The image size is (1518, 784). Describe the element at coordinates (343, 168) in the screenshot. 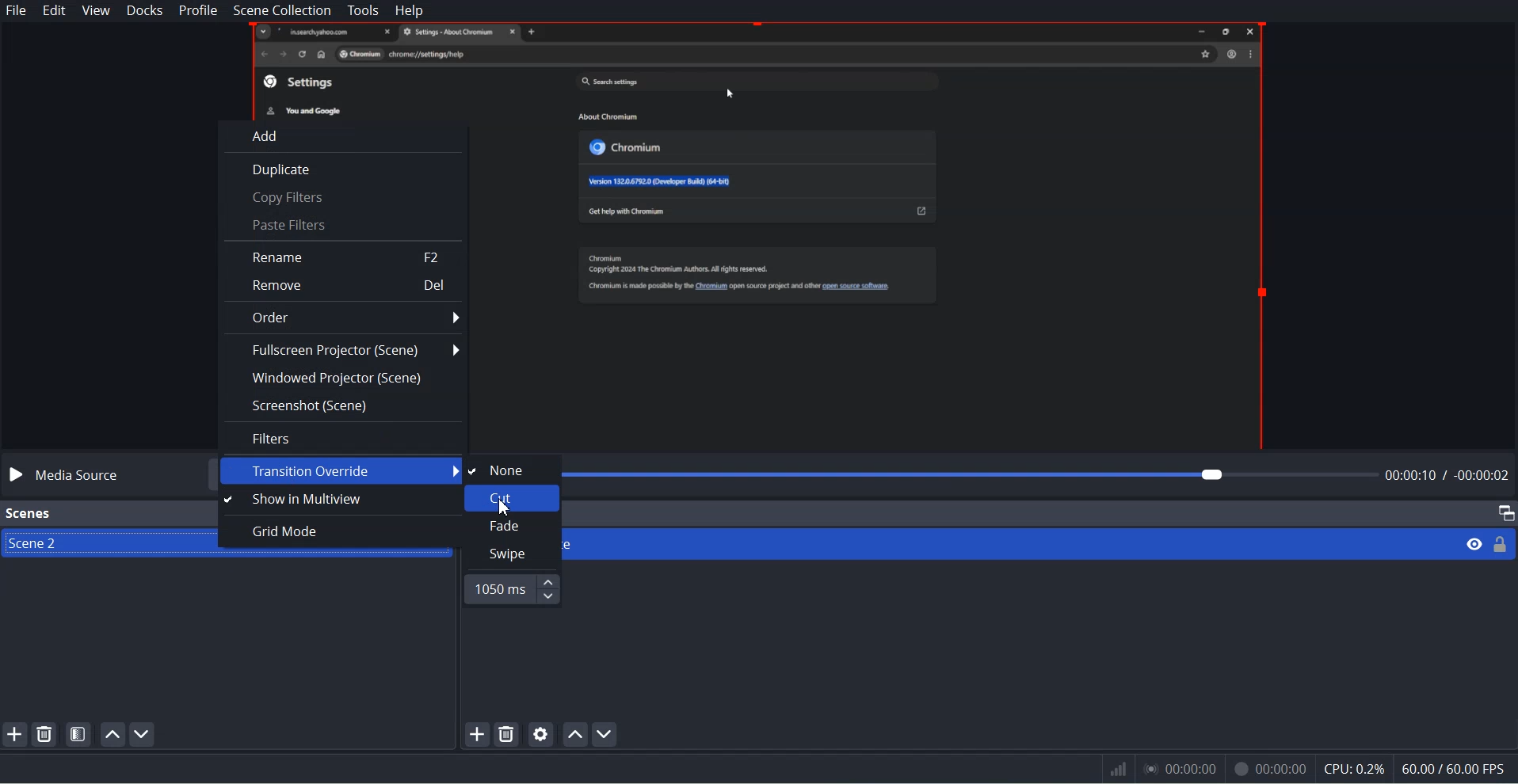

I see `Duplicates` at that location.